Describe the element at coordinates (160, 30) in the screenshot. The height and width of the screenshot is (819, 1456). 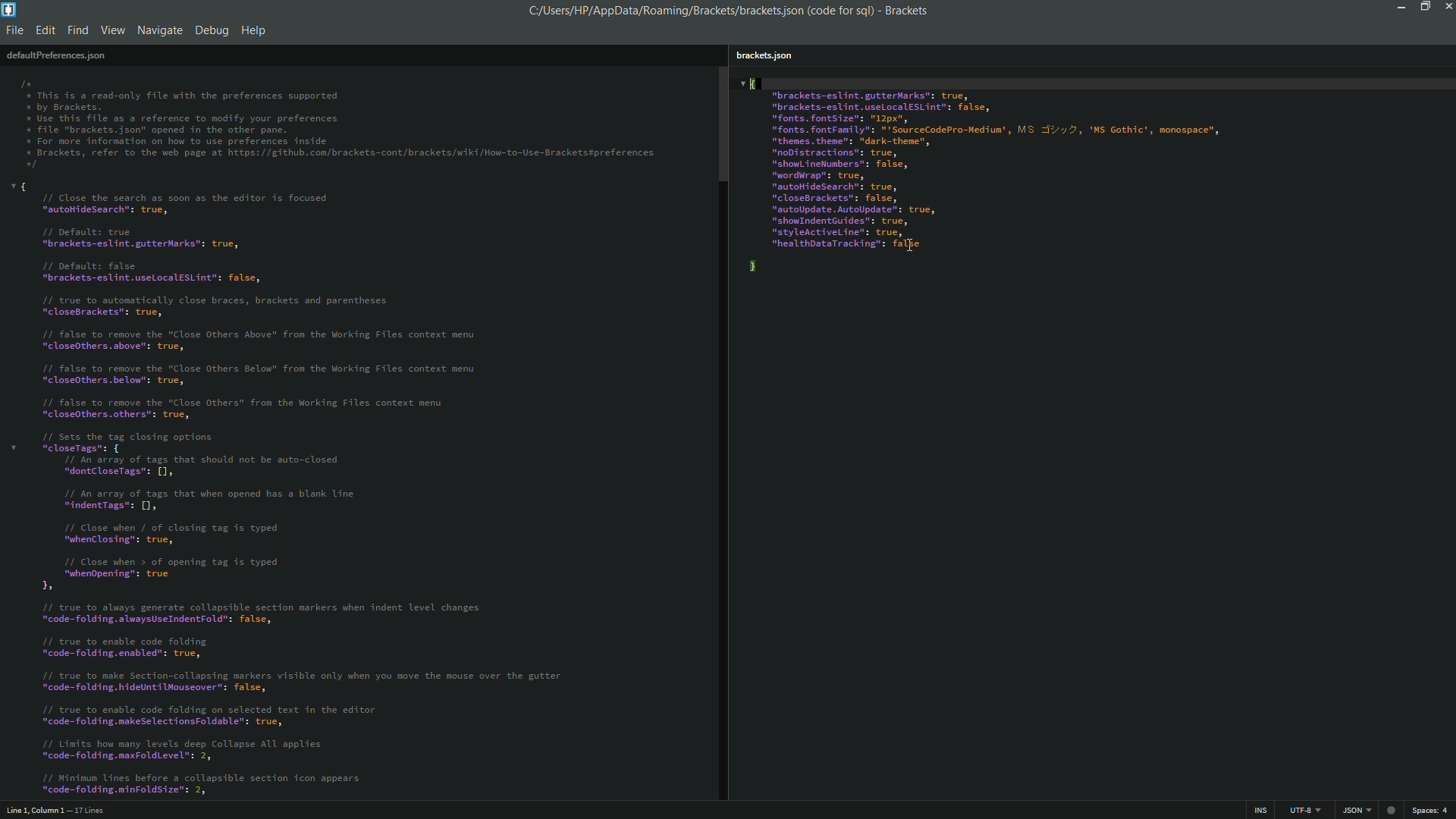
I see `Navigate menu` at that location.